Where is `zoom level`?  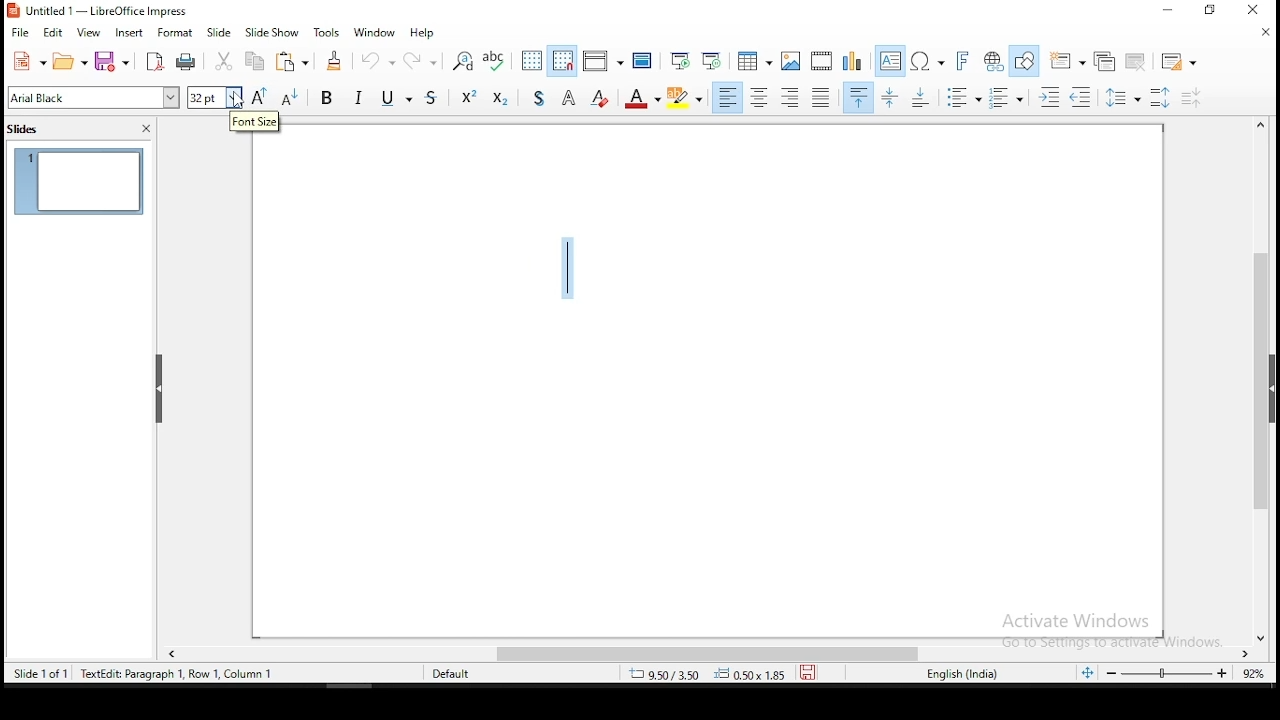 zoom level is located at coordinates (1185, 673).